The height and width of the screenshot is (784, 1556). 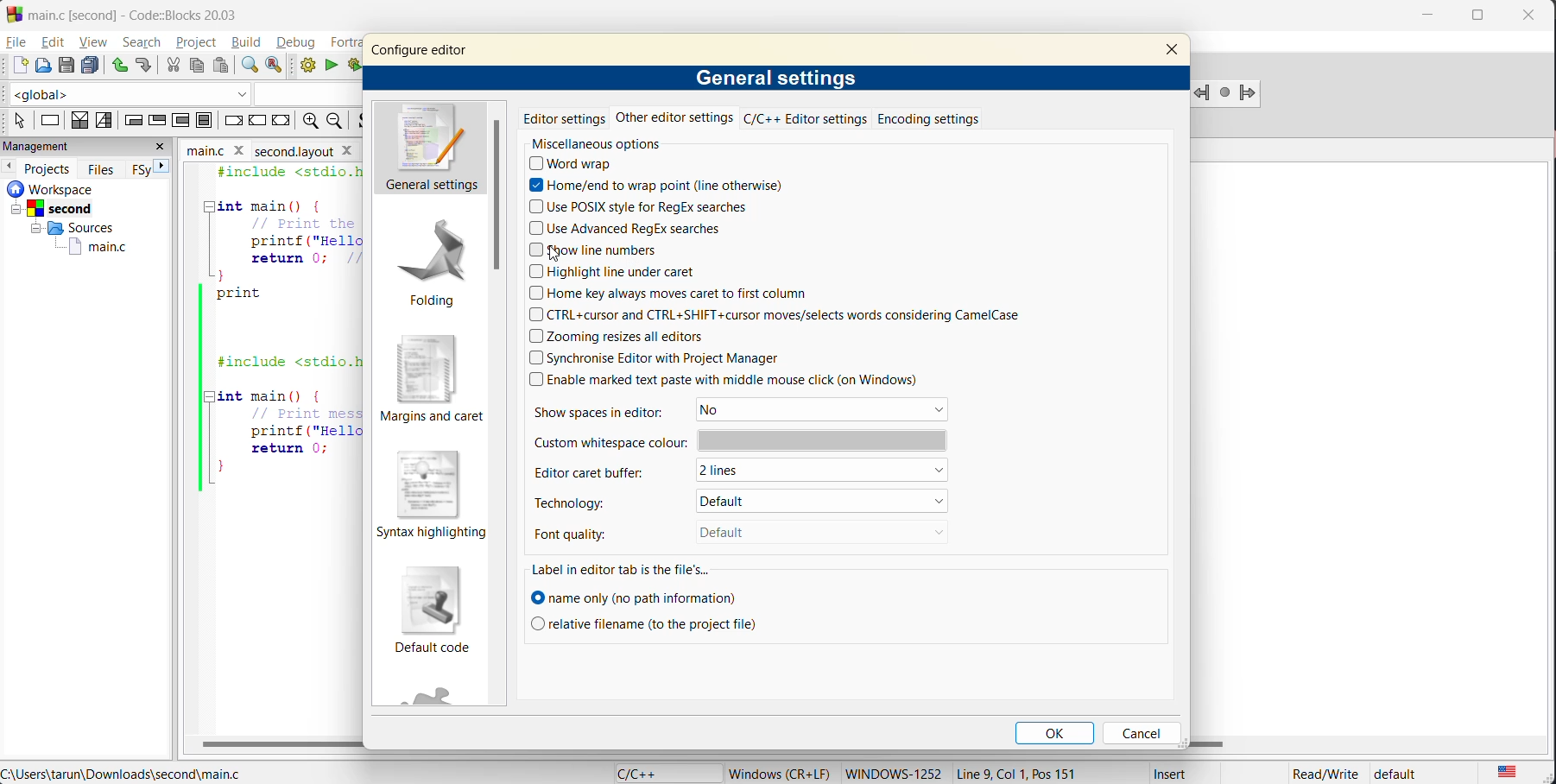 I want to click on paste, so click(x=220, y=67).